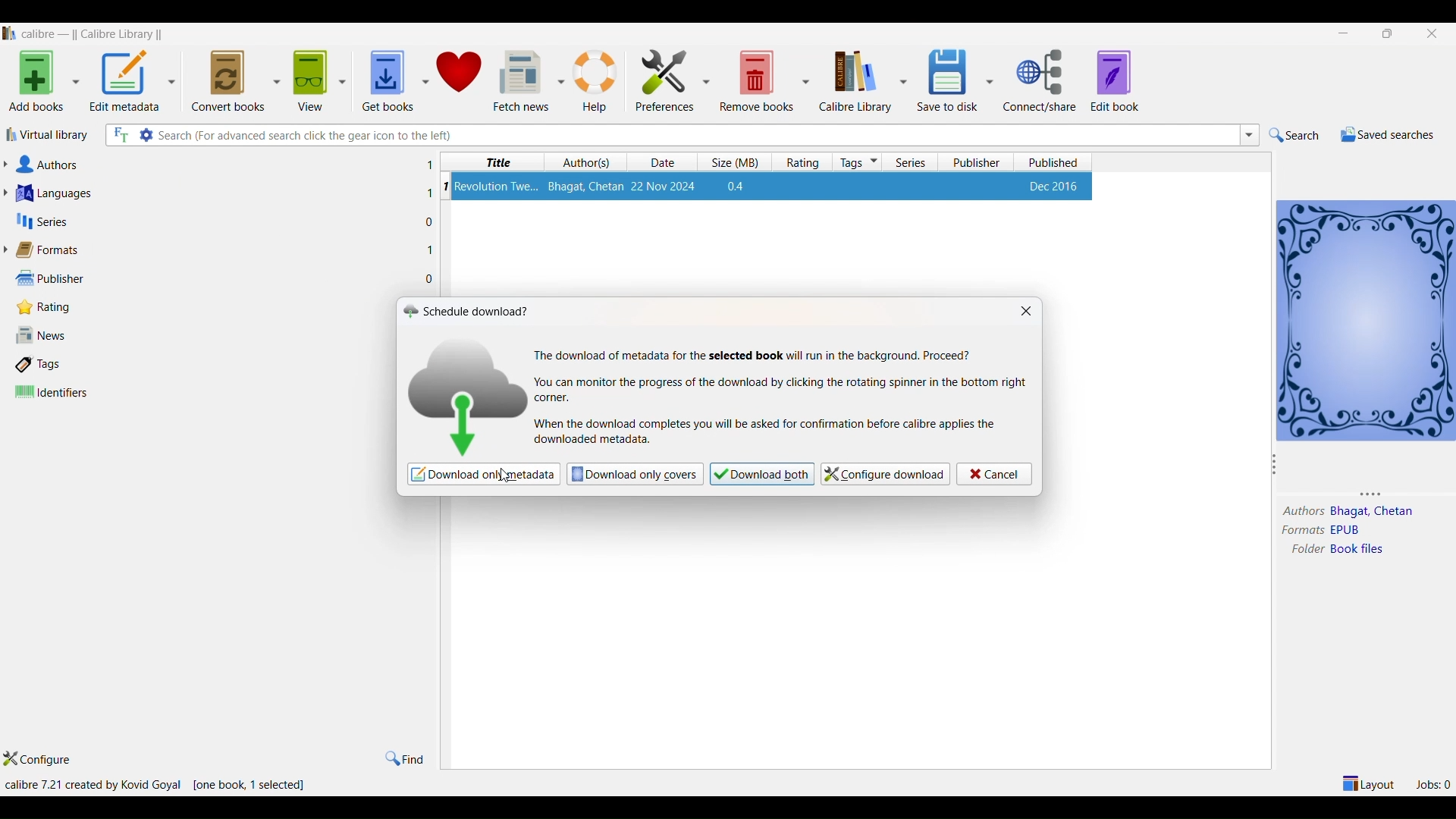 The image size is (1456, 819). Describe the element at coordinates (635, 473) in the screenshot. I see `download only covers` at that location.